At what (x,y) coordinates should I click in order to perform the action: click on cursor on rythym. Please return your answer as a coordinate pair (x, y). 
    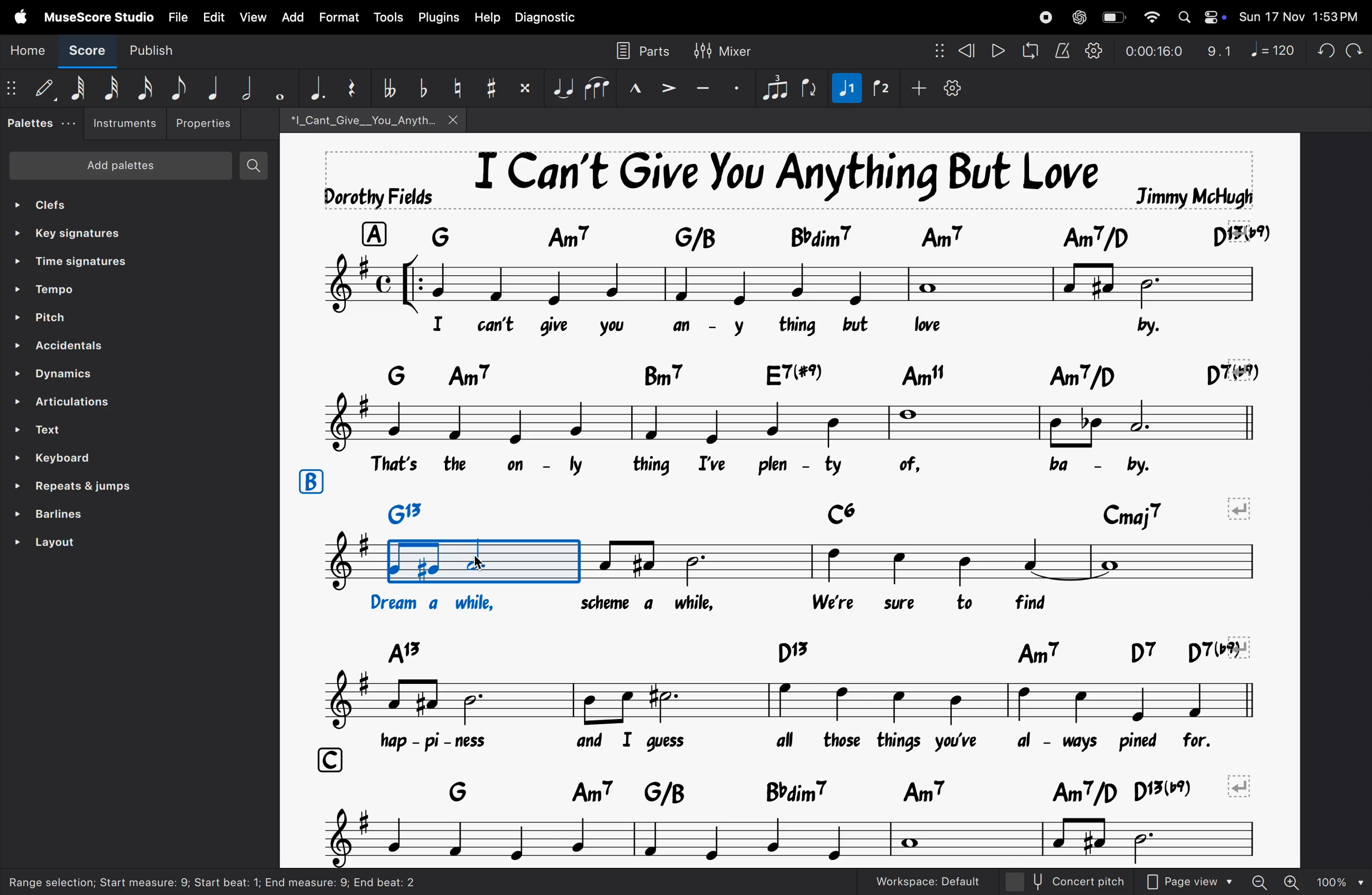
    Looking at the image, I should click on (482, 566).